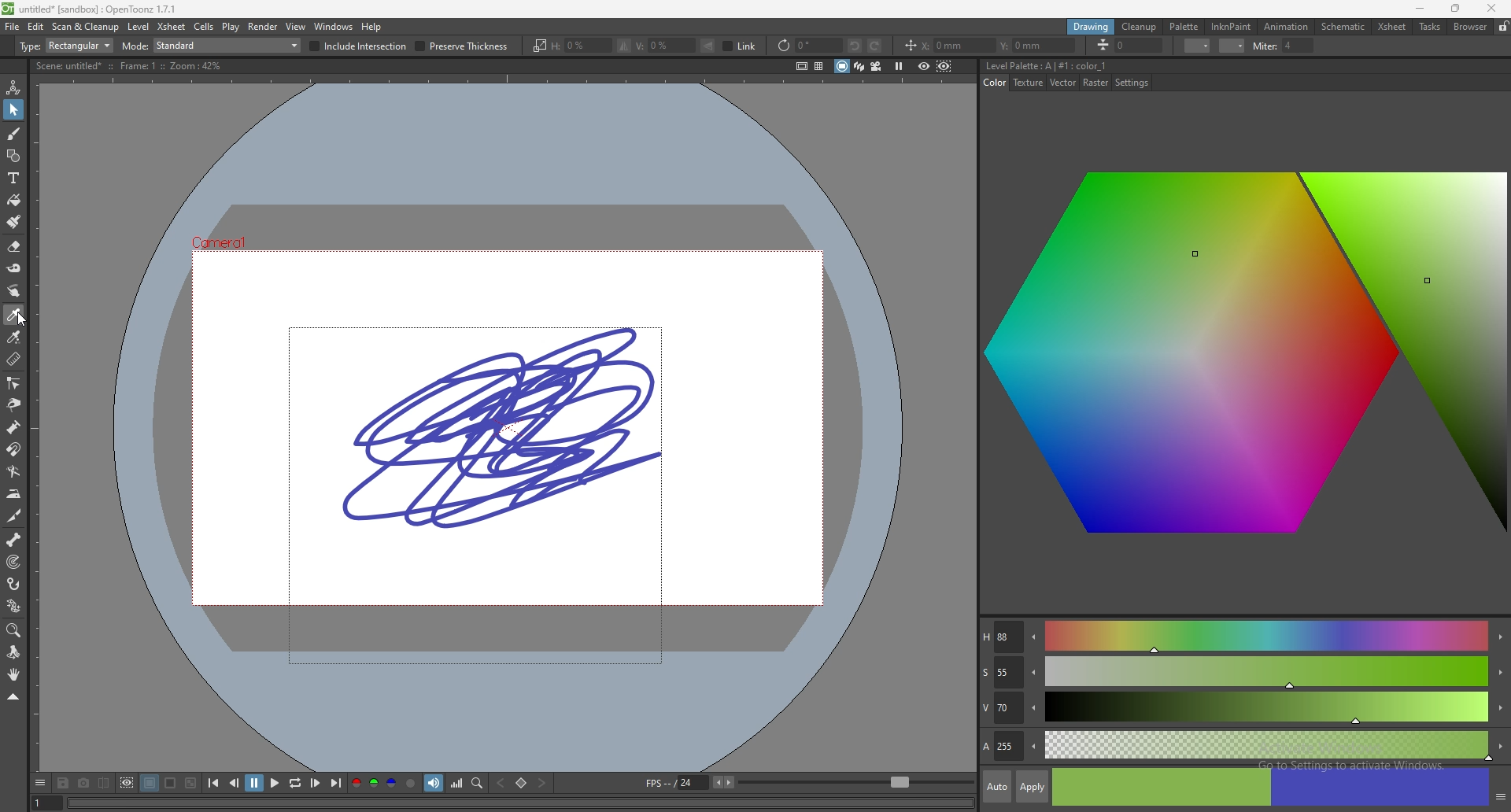 Image resolution: width=1511 pixels, height=812 pixels. I want to click on red channel, so click(354, 783).